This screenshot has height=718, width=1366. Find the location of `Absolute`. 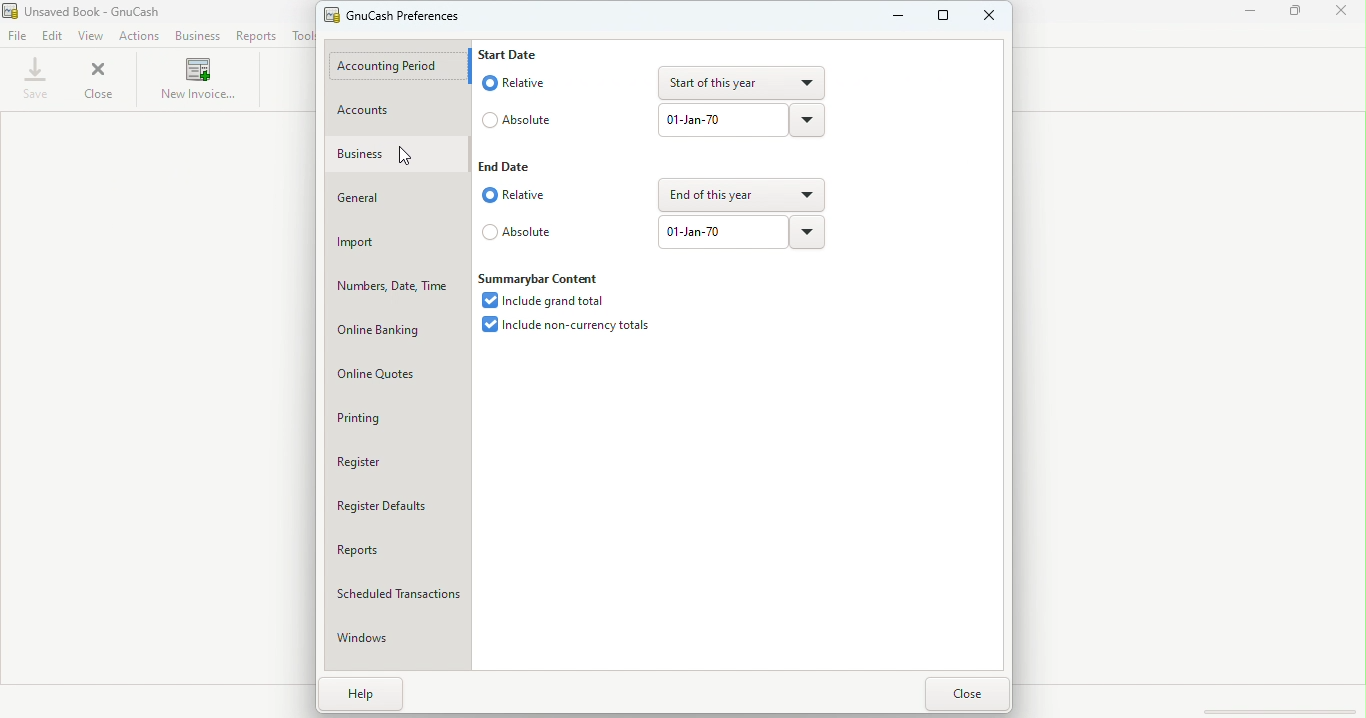

Absolute is located at coordinates (517, 236).